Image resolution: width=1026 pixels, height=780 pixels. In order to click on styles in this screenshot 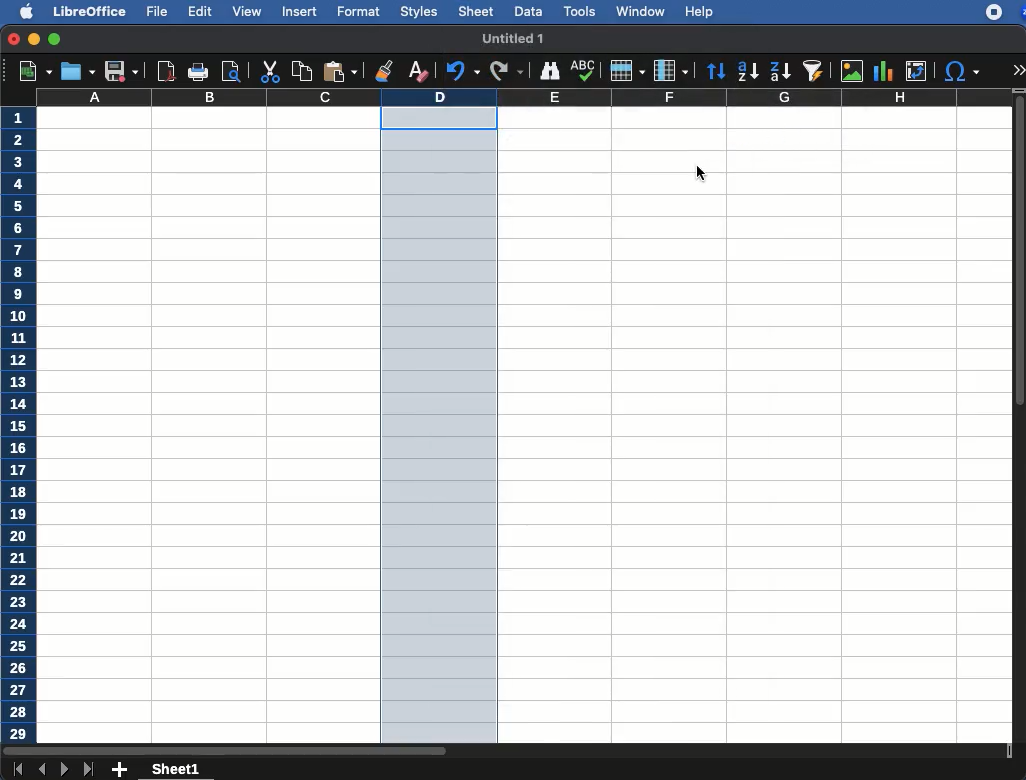, I will do `click(418, 11)`.